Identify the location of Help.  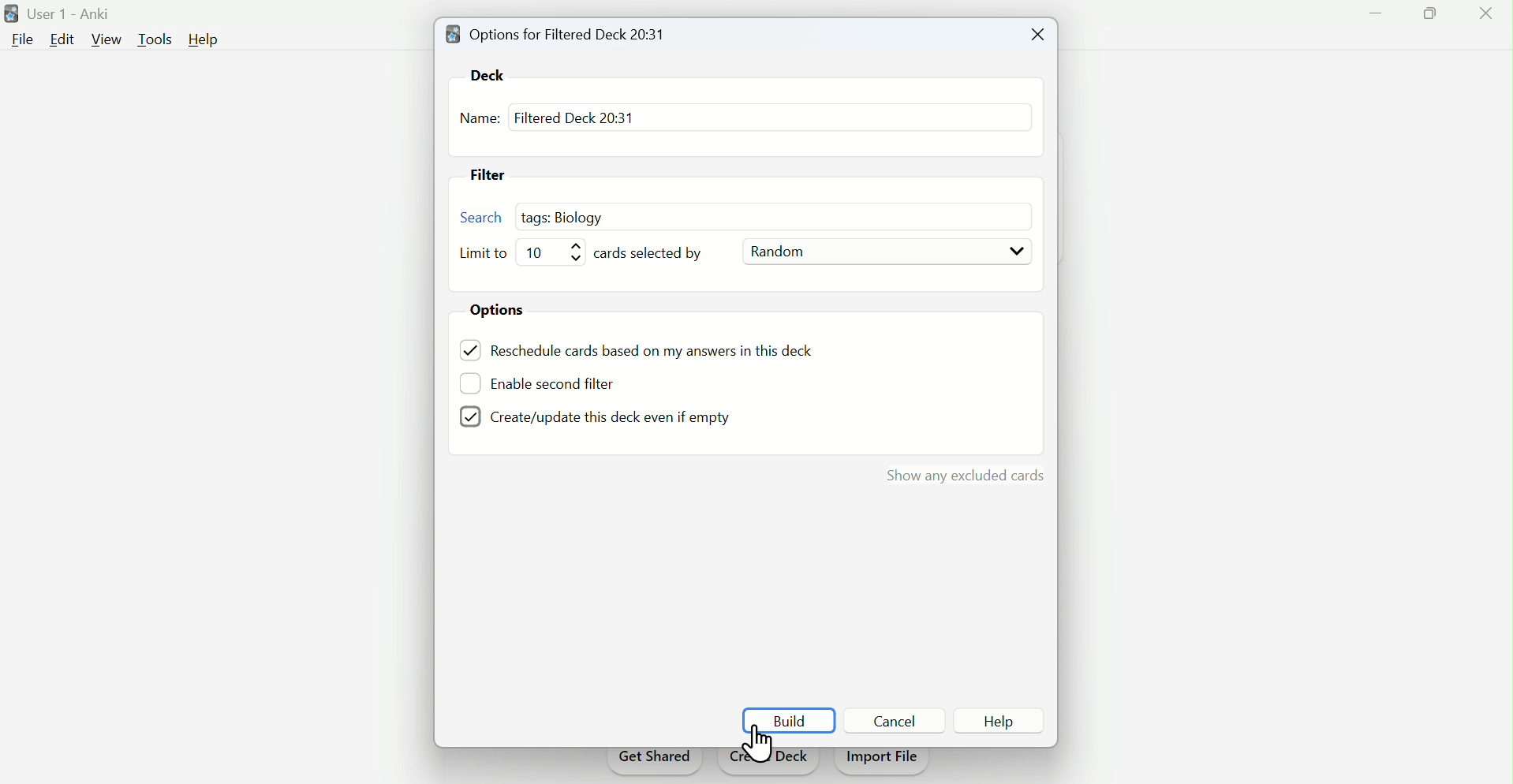
(208, 40).